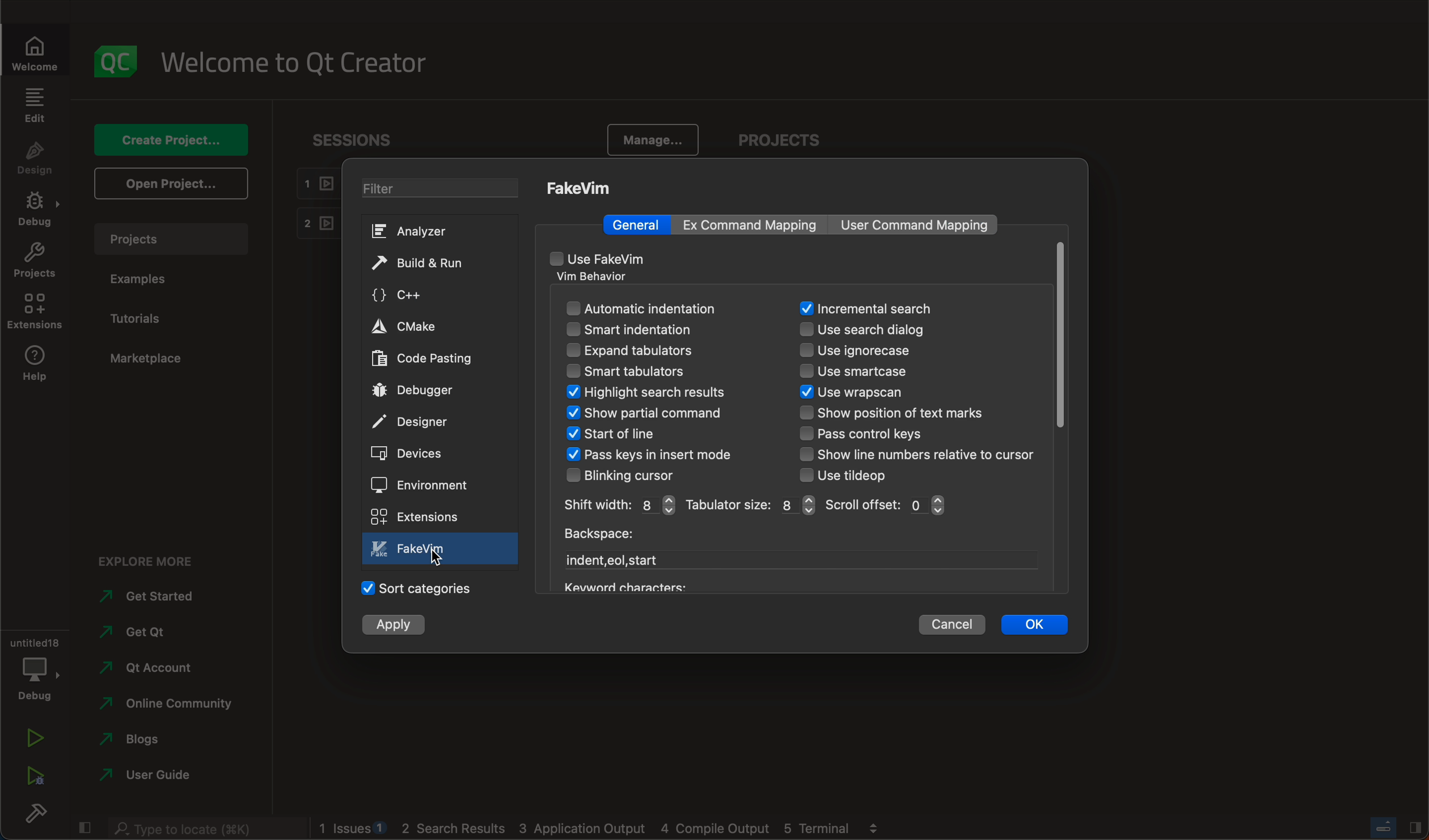  What do you see at coordinates (667, 456) in the screenshot?
I see `keys in insert mode` at bounding box center [667, 456].